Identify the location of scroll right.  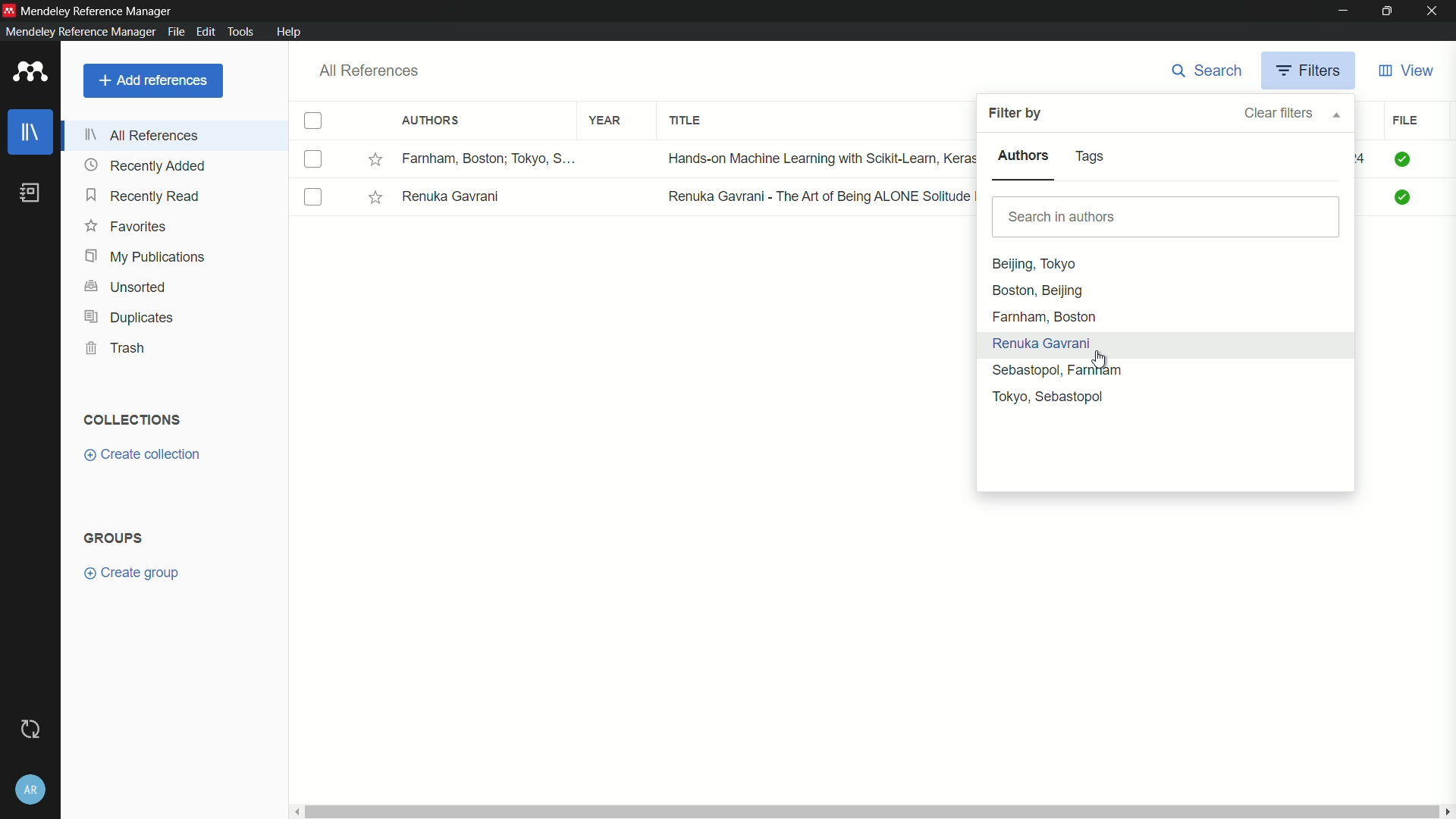
(1447, 810).